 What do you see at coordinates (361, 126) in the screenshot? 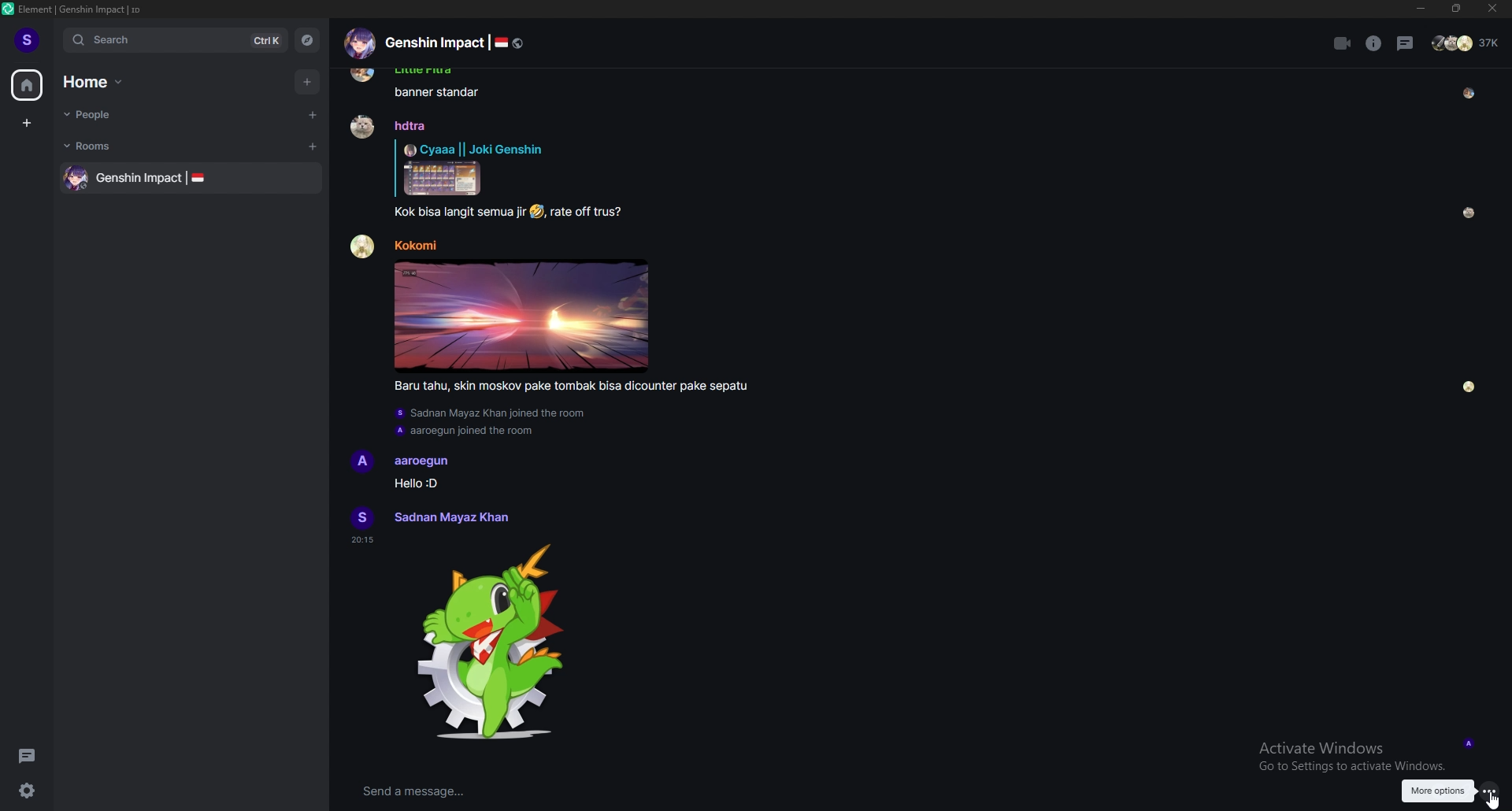
I see `Profile picture` at bounding box center [361, 126].